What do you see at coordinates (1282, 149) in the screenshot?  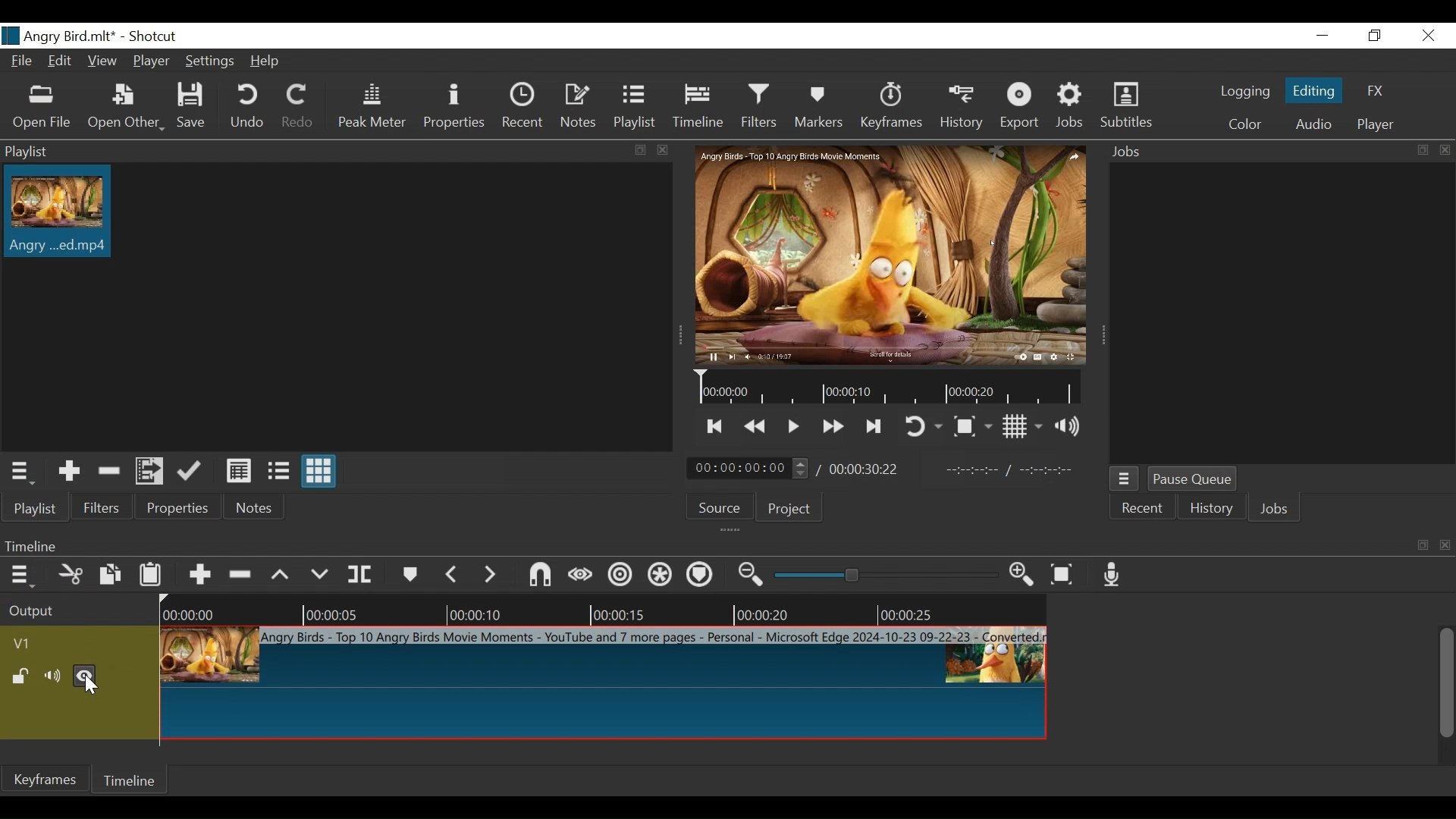 I see `Jobs Panel` at bounding box center [1282, 149].